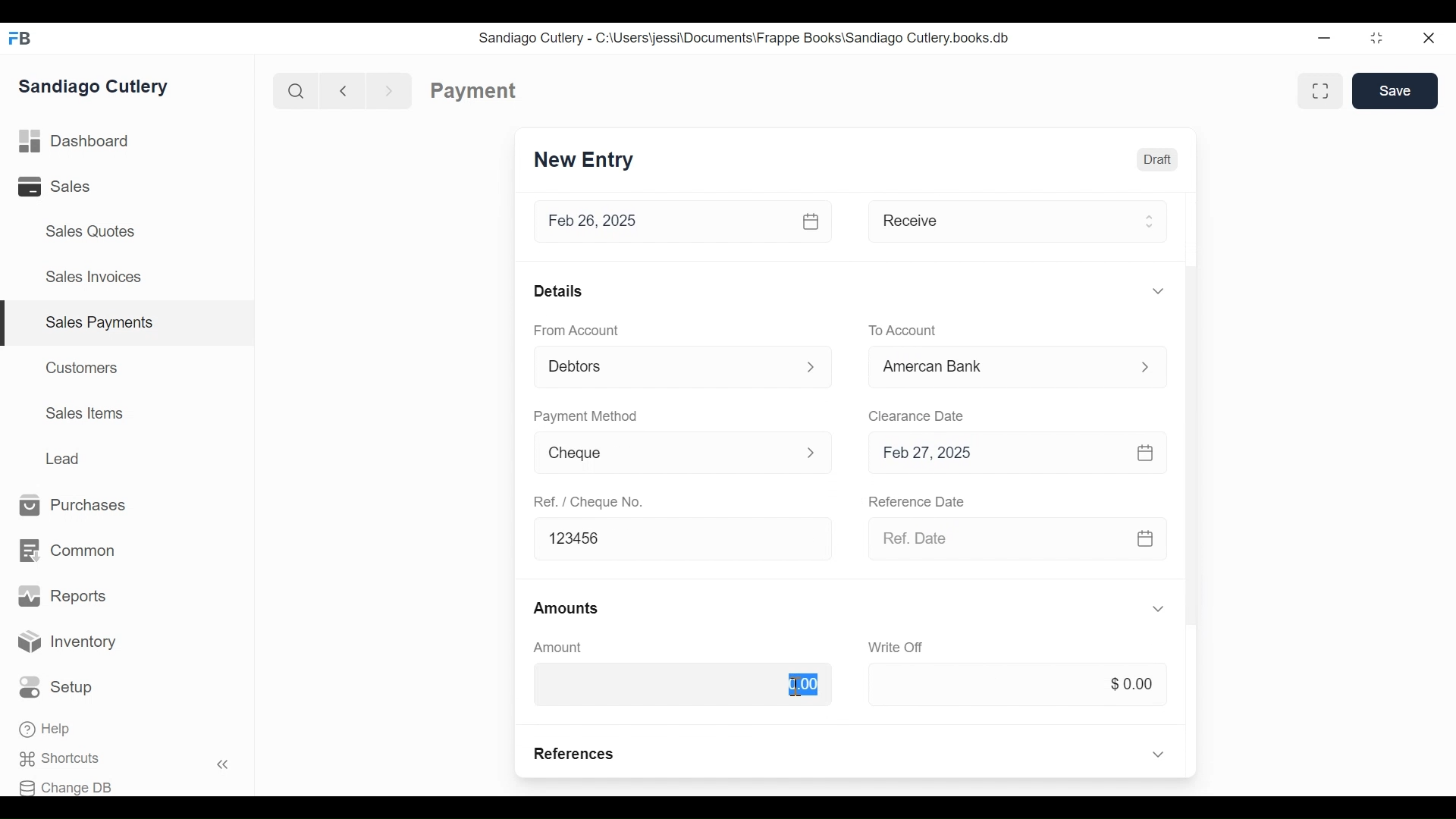  Describe the element at coordinates (85, 413) in the screenshot. I see `Sales Items` at that location.